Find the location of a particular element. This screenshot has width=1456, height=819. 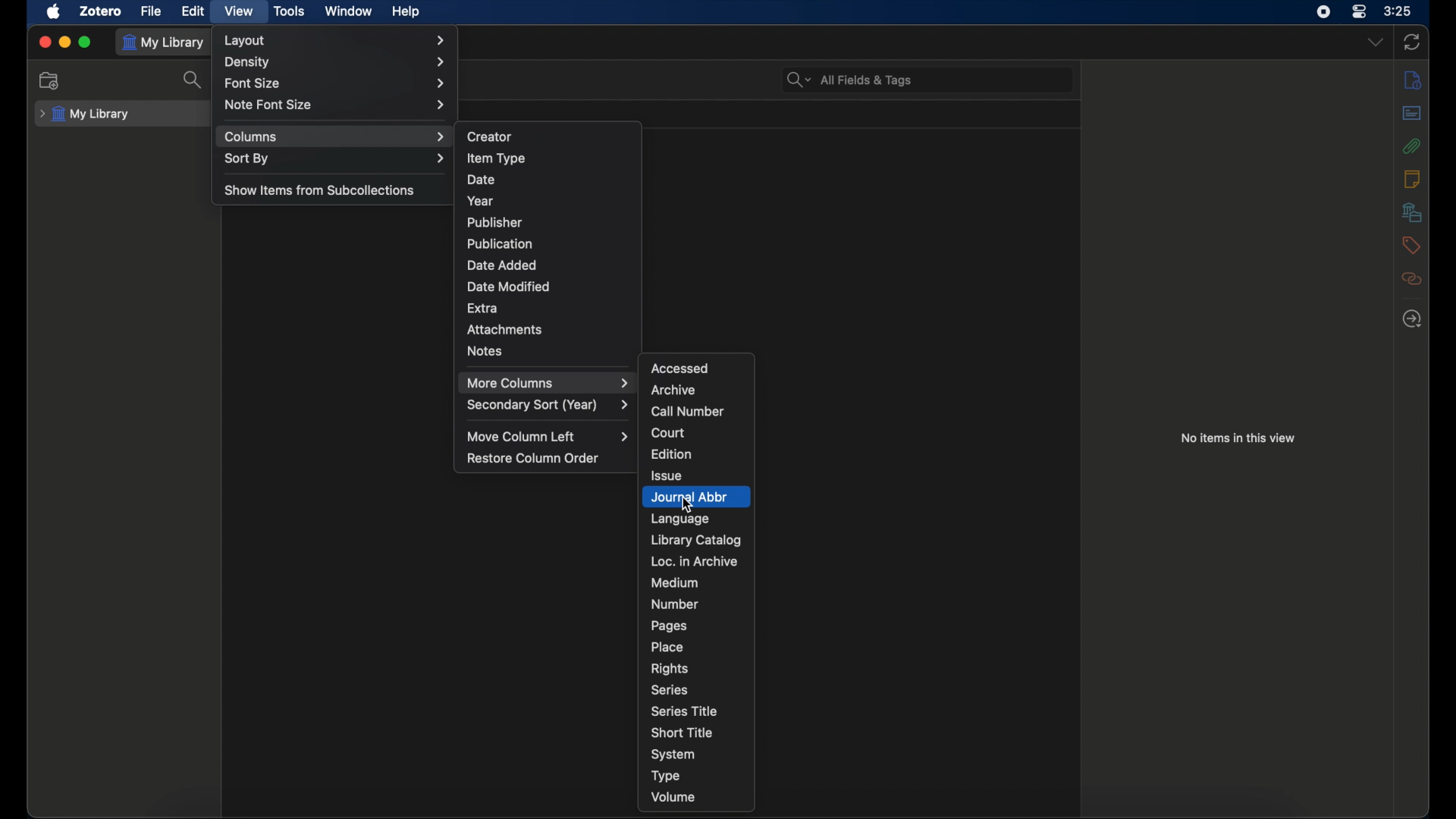

item type is located at coordinates (496, 158).